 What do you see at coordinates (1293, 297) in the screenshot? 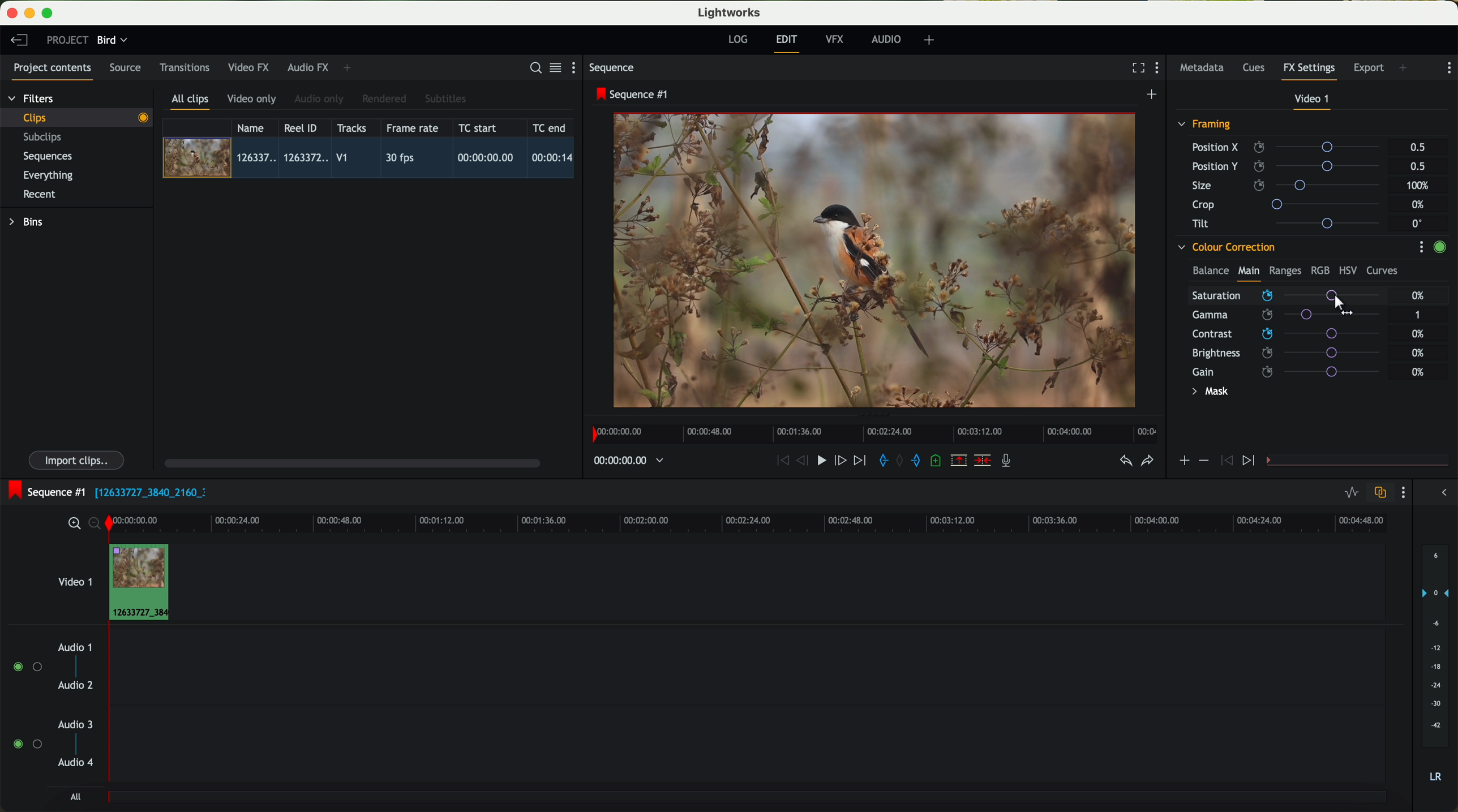
I see `drag to (saturation)` at bounding box center [1293, 297].